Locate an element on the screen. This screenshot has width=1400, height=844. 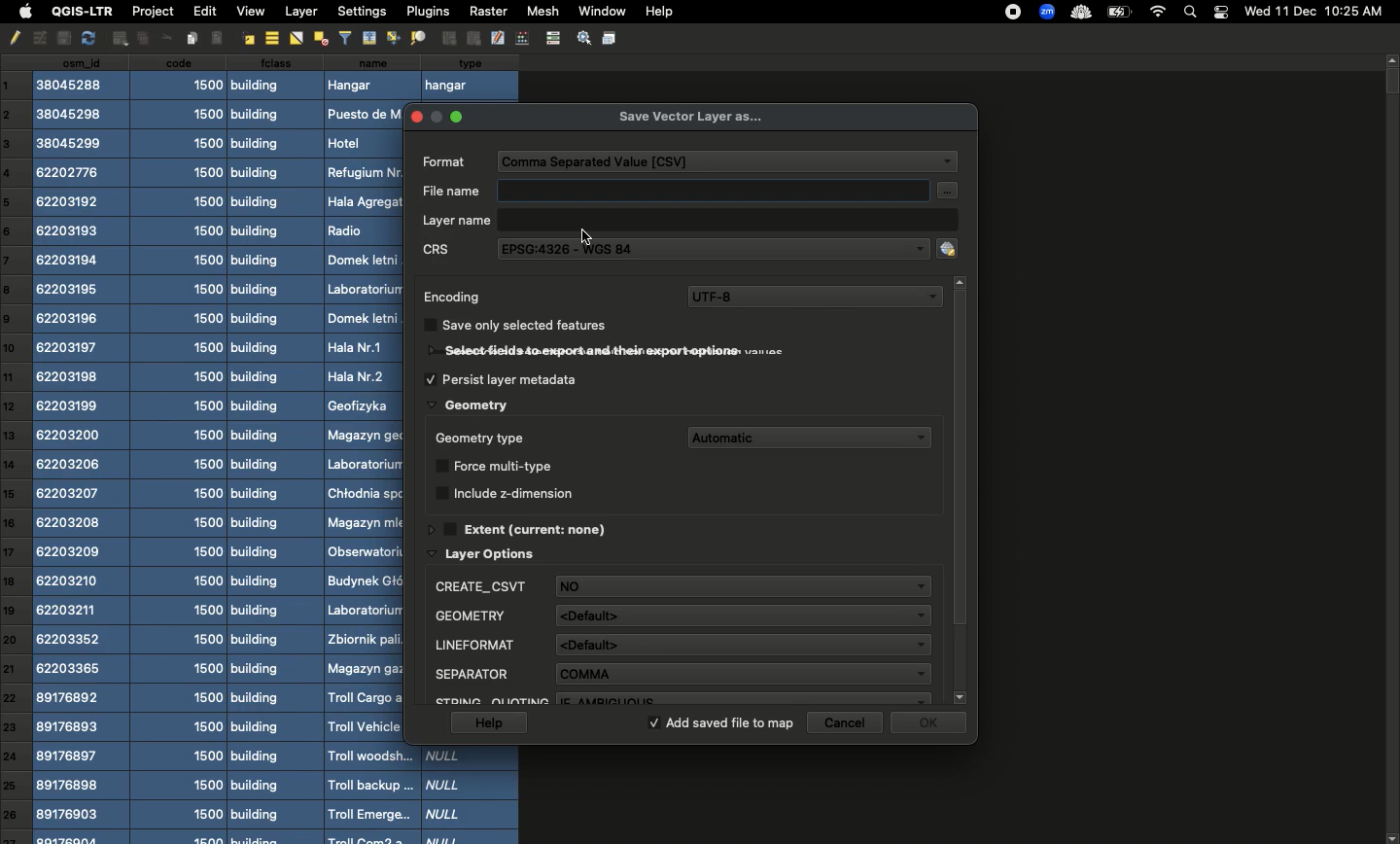
Settings is located at coordinates (581, 37).